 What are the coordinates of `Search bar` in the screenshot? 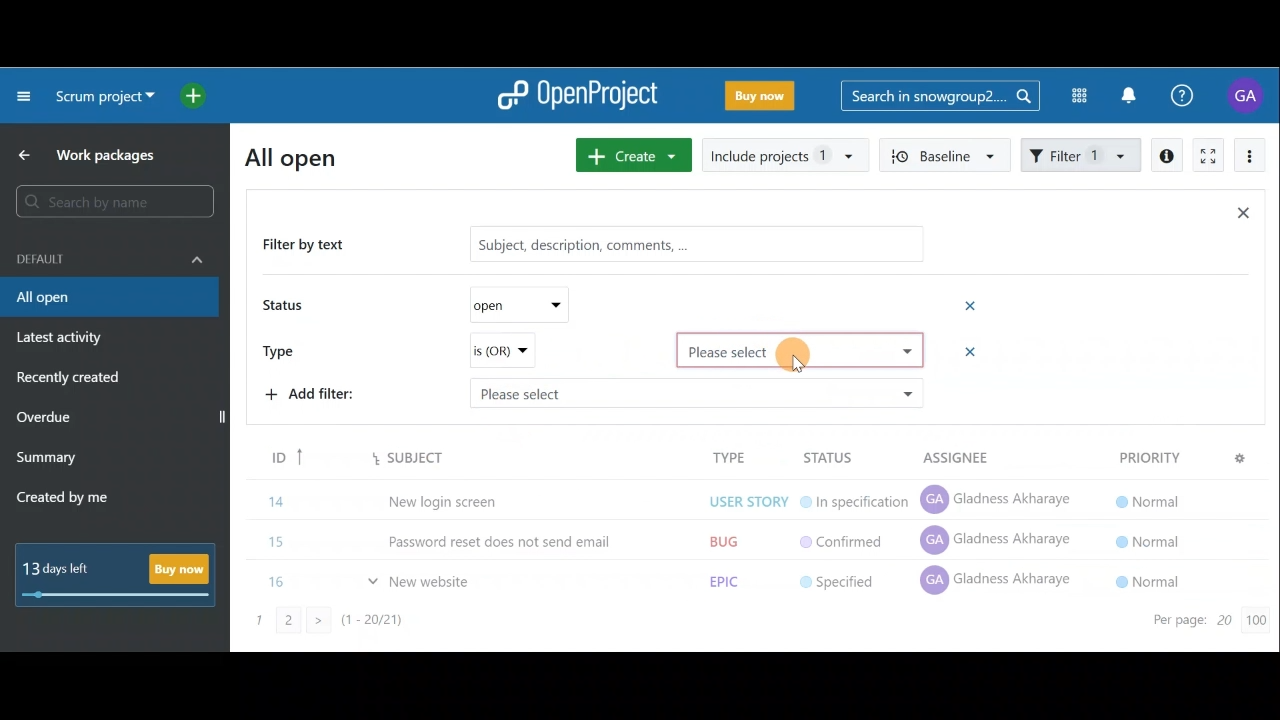 It's located at (940, 94).